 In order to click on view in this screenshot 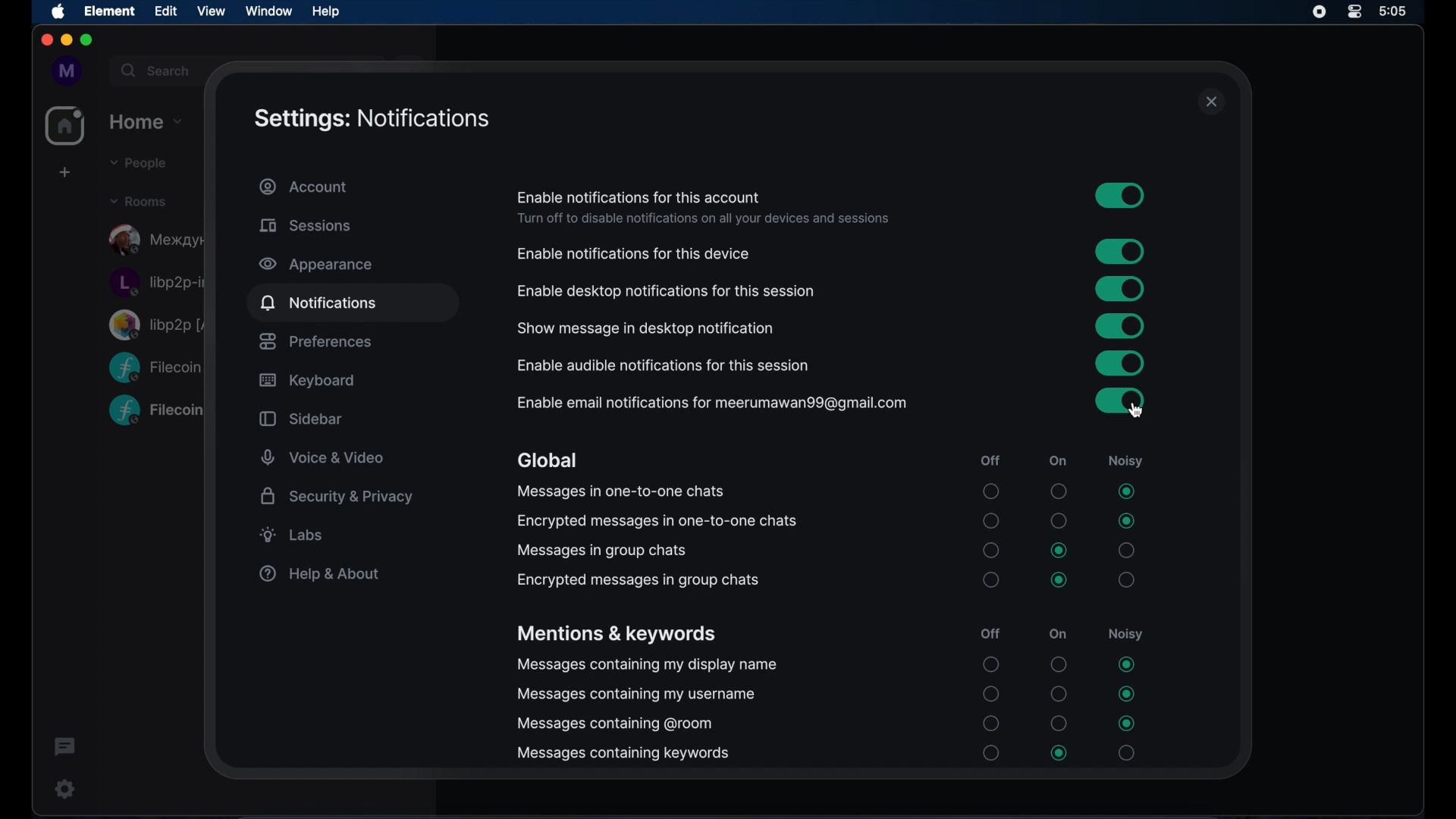, I will do `click(211, 11)`.